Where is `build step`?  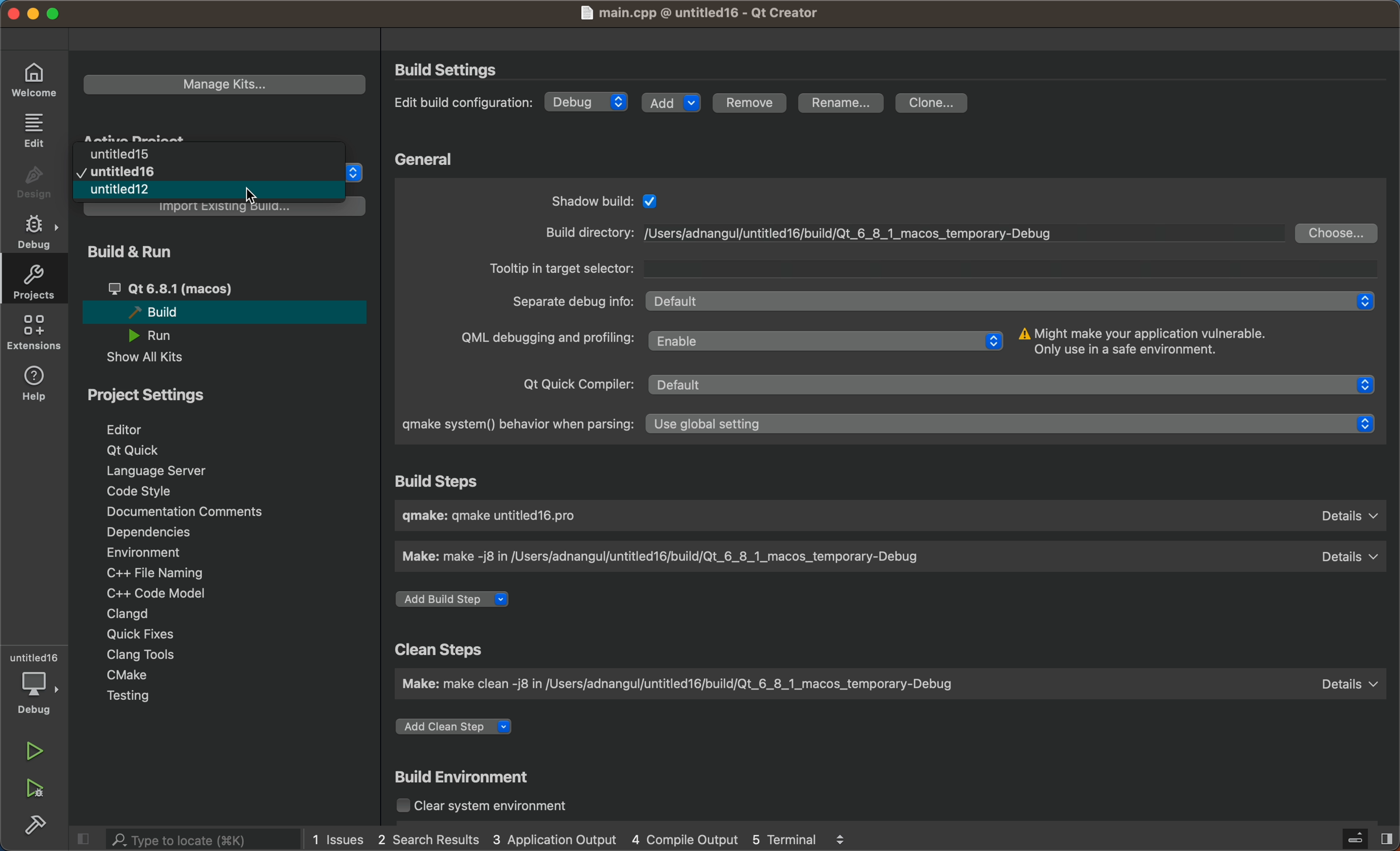
build step is located at coordinates (456, 598).